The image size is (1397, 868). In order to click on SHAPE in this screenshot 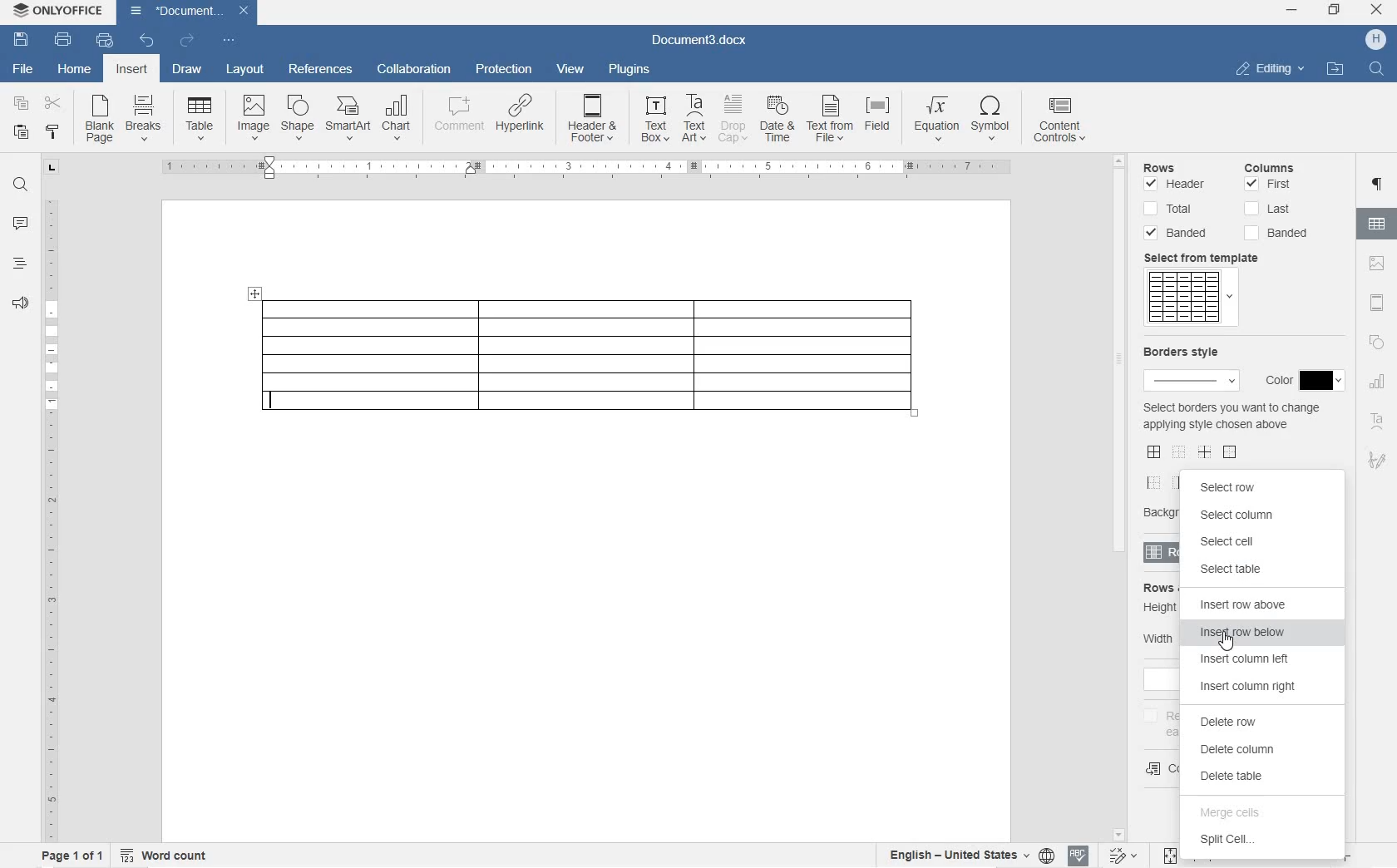, I will do `click(1377, 342)`.